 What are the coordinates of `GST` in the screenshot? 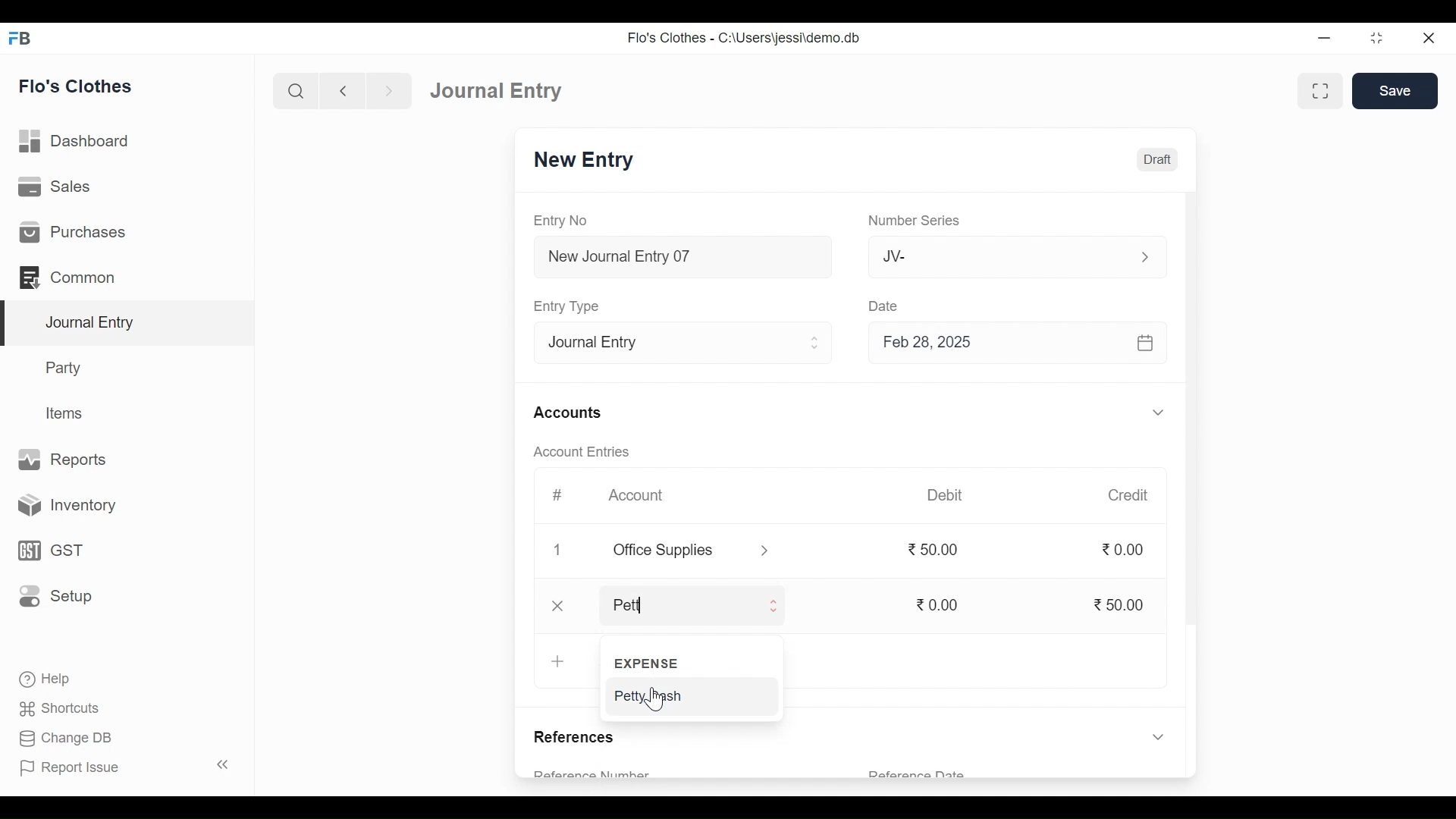 It's located at (49, 552).